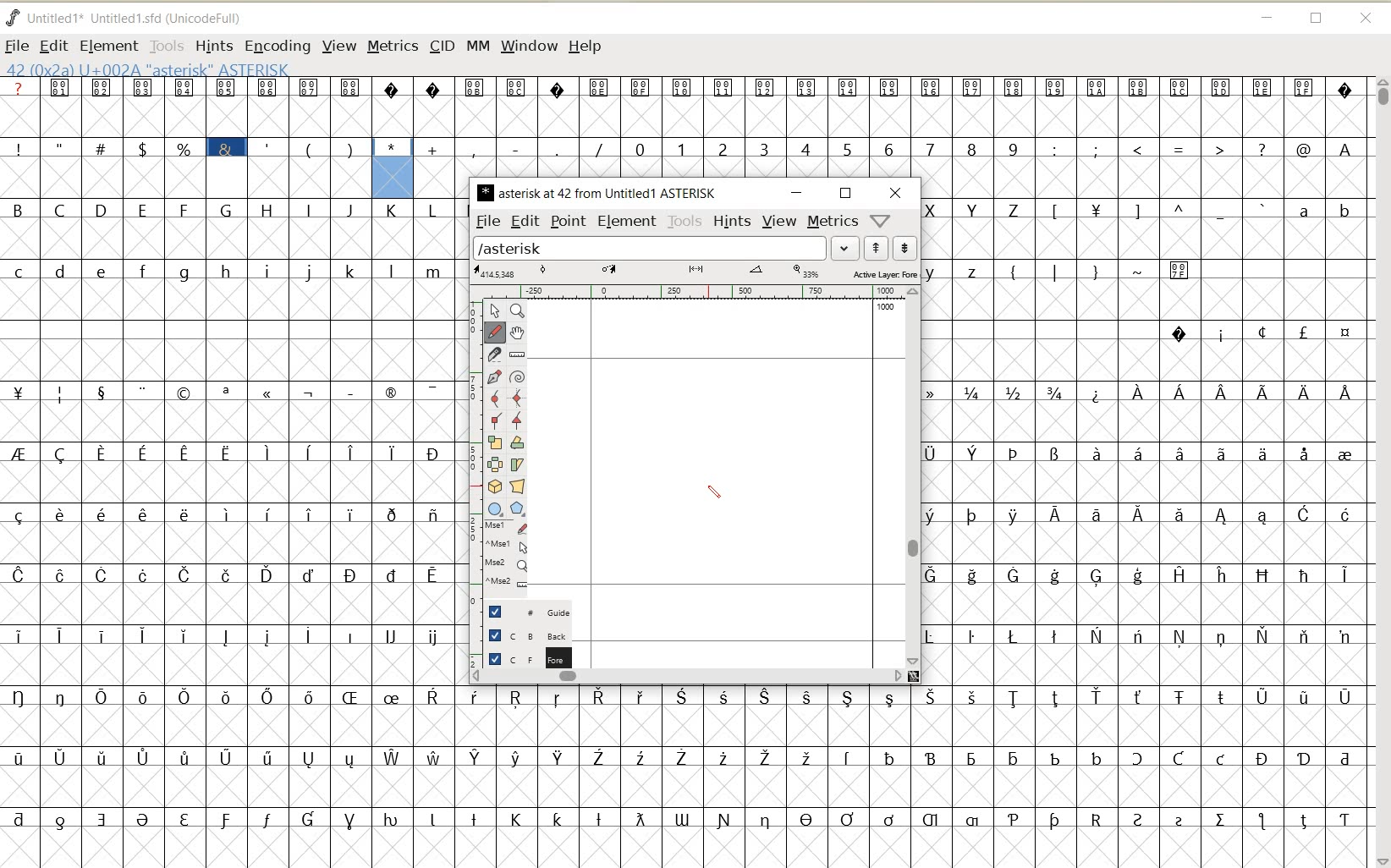 The image size is (1391, 868). What do you see at coordinates (696, 677) in the screenshot?
I see `SCROLLBAR` at bounding box center [696, 677].